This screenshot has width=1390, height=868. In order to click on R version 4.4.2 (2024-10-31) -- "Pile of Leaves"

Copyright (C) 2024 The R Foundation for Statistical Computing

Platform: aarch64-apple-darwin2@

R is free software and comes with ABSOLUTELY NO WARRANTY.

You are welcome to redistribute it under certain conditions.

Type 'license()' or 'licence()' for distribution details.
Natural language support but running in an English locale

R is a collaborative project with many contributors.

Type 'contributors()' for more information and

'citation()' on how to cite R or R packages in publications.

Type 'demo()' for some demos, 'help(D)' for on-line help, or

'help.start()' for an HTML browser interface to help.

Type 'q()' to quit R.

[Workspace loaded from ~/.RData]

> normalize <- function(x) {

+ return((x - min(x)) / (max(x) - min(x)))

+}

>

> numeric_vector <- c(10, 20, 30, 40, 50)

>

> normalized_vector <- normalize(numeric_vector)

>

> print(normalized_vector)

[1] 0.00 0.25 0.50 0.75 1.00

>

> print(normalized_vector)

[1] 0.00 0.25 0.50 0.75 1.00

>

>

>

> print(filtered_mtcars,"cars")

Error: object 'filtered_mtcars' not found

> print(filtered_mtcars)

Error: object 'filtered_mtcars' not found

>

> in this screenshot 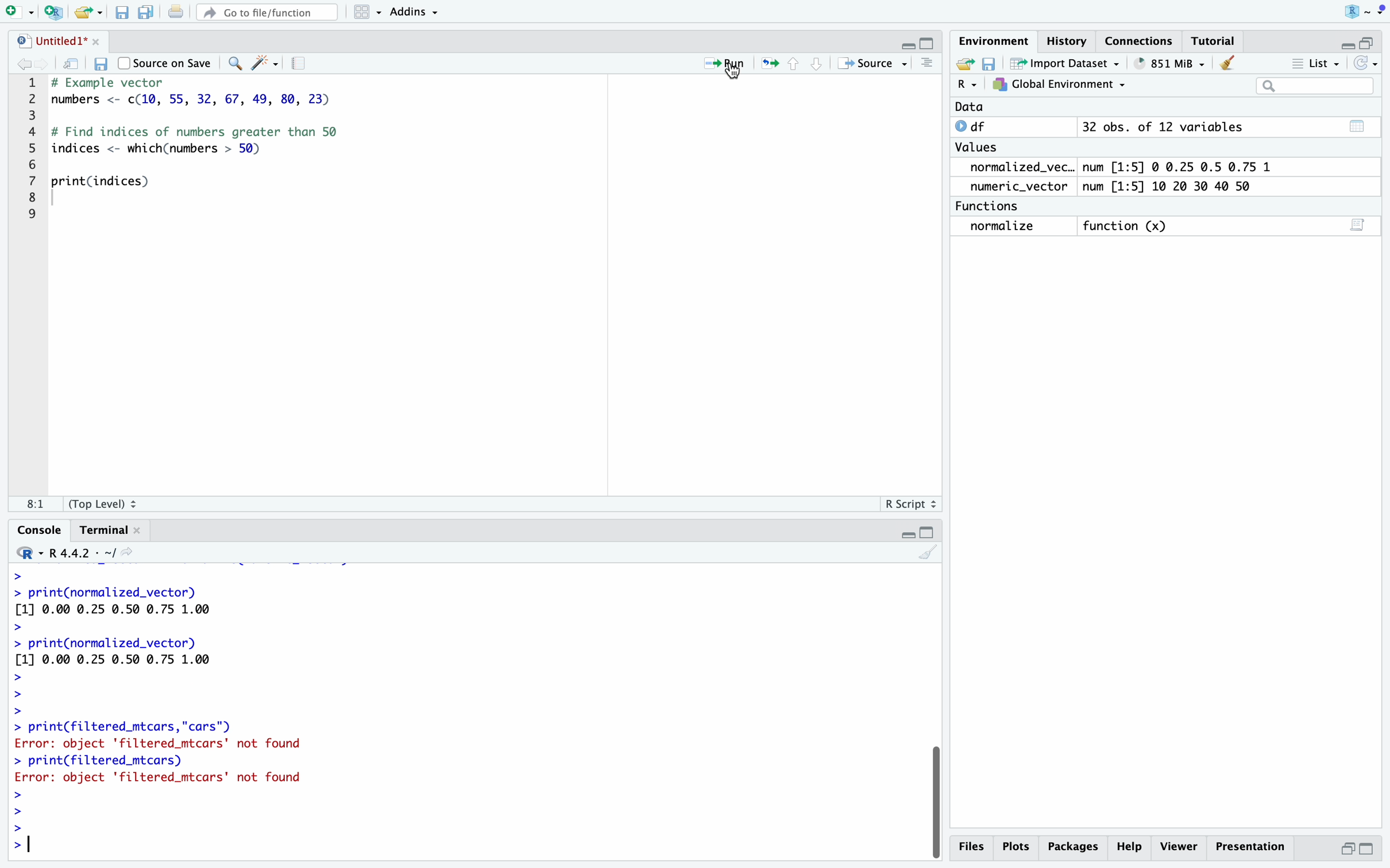, I will do `click(158, 710)`.